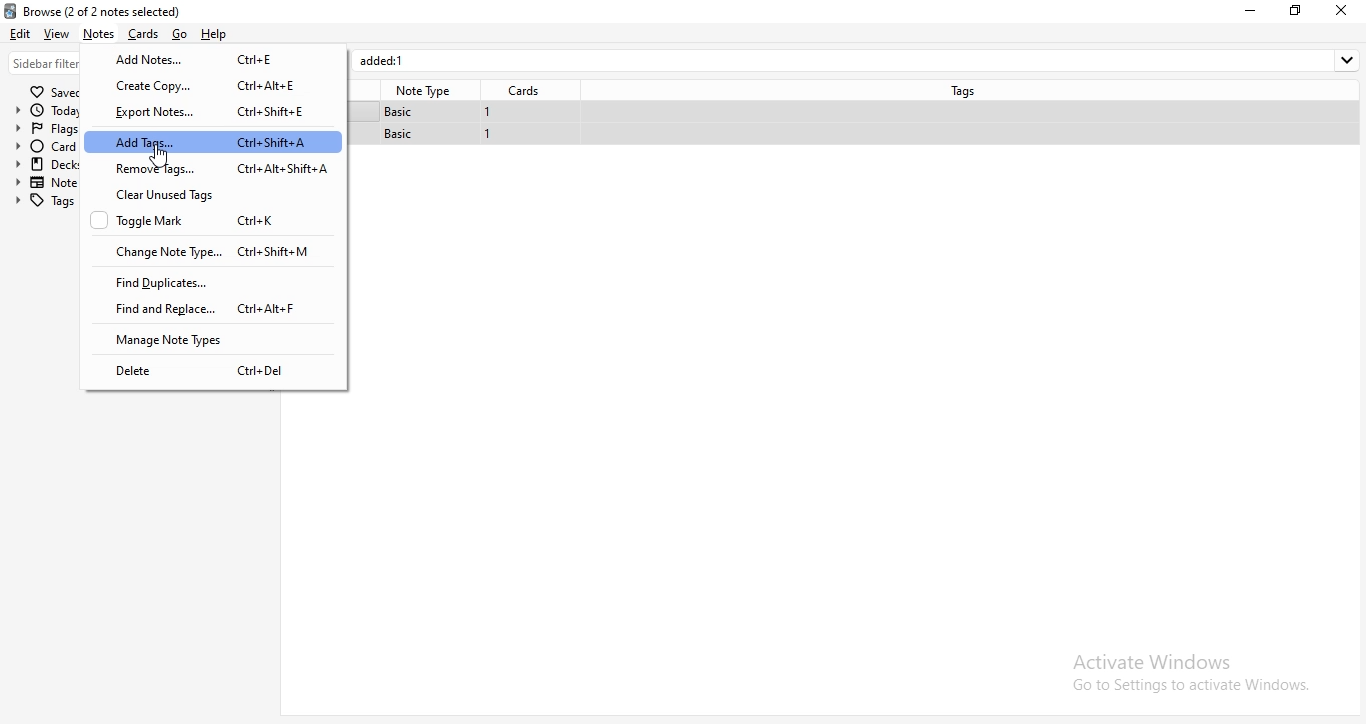  Describe the element at coordinates (220, 84) in the screenshot. I see `create copy` at that location.